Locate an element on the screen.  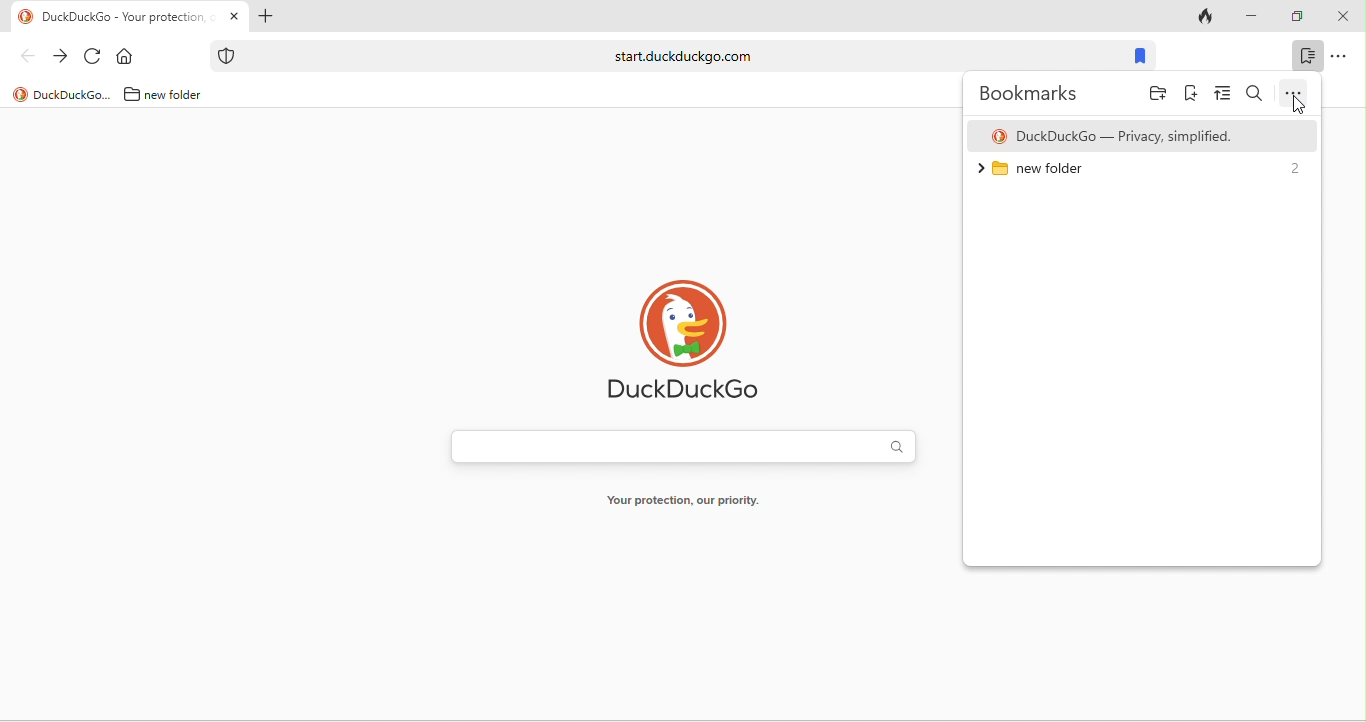
Your protection, our priority. is located at coordinates (682, 504).